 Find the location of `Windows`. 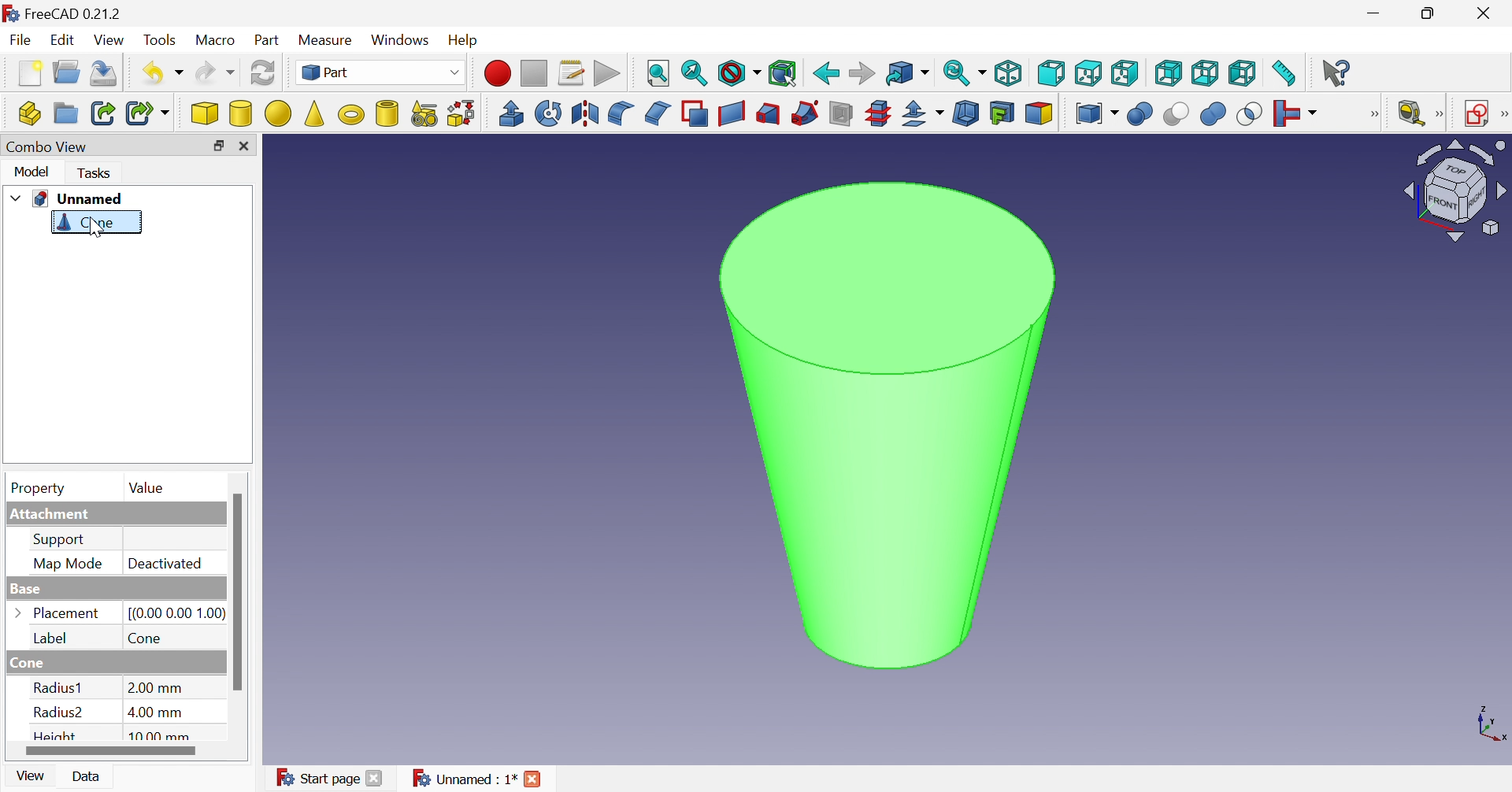

Windows is located at coordinates (399, 41).